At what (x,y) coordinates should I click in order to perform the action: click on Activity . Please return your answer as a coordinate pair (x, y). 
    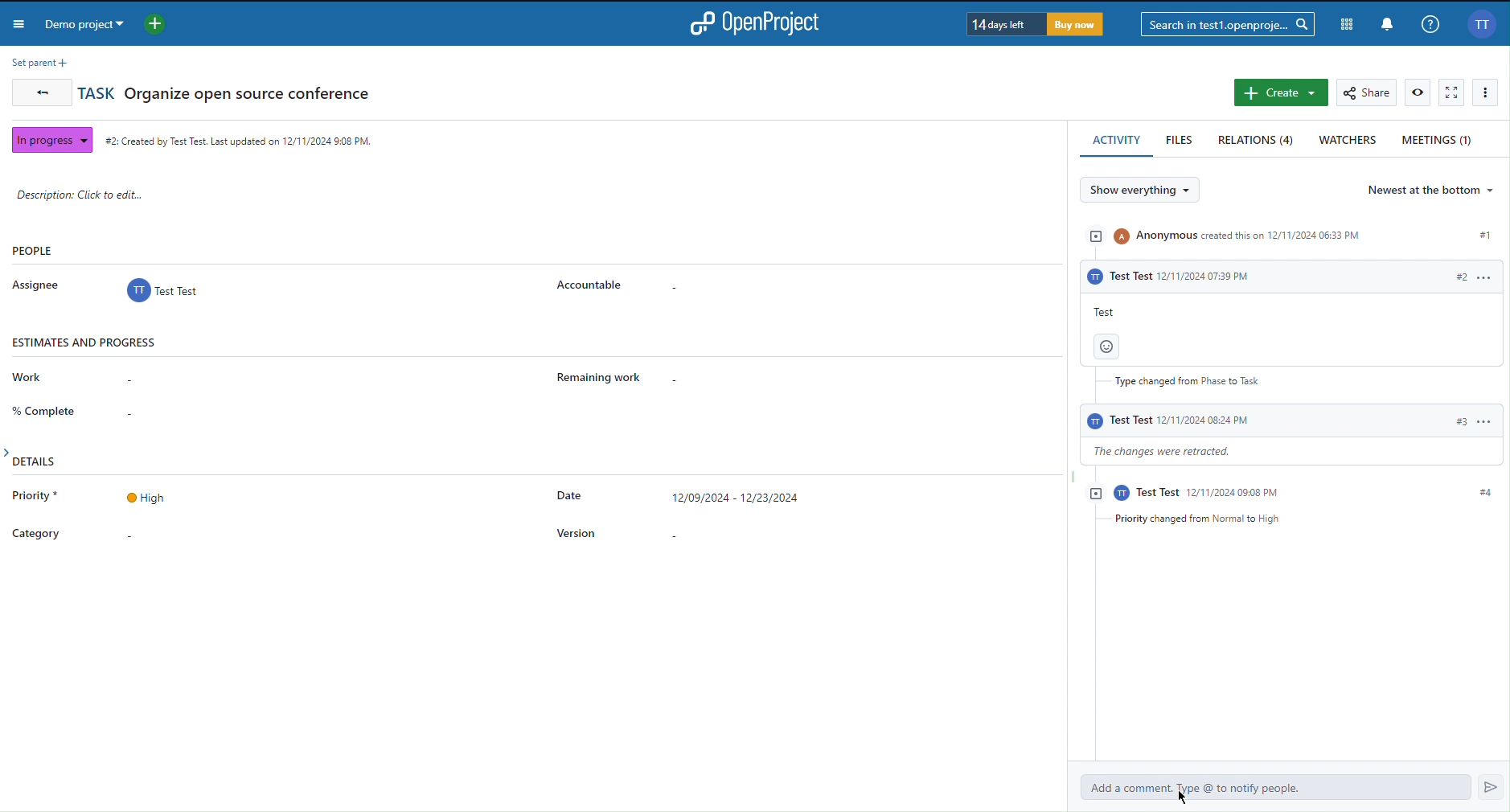
    Looking at the image, I should click on (1286, 374).